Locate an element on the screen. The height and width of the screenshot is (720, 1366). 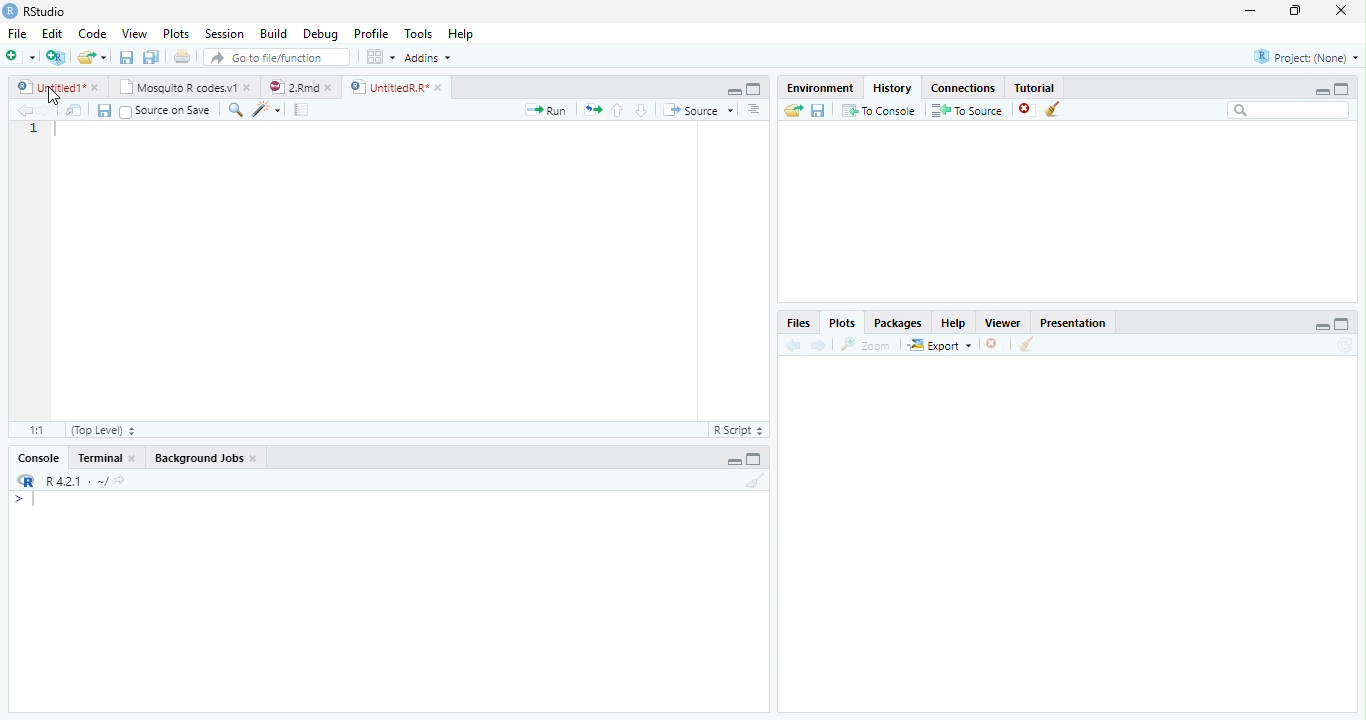
Zoom is located at coordinates (235, 112).